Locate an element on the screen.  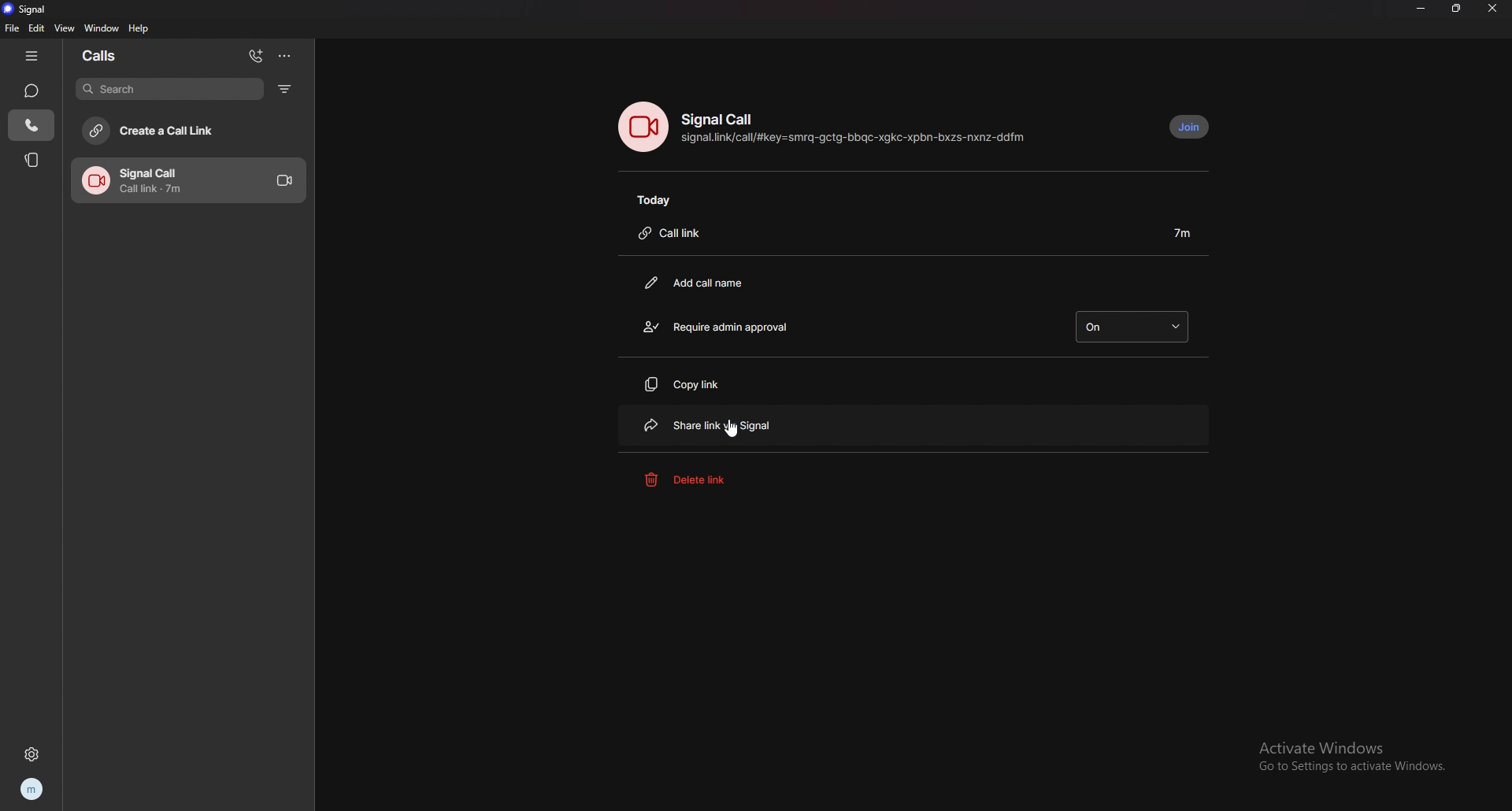
window is located at coordinates (102, 28).